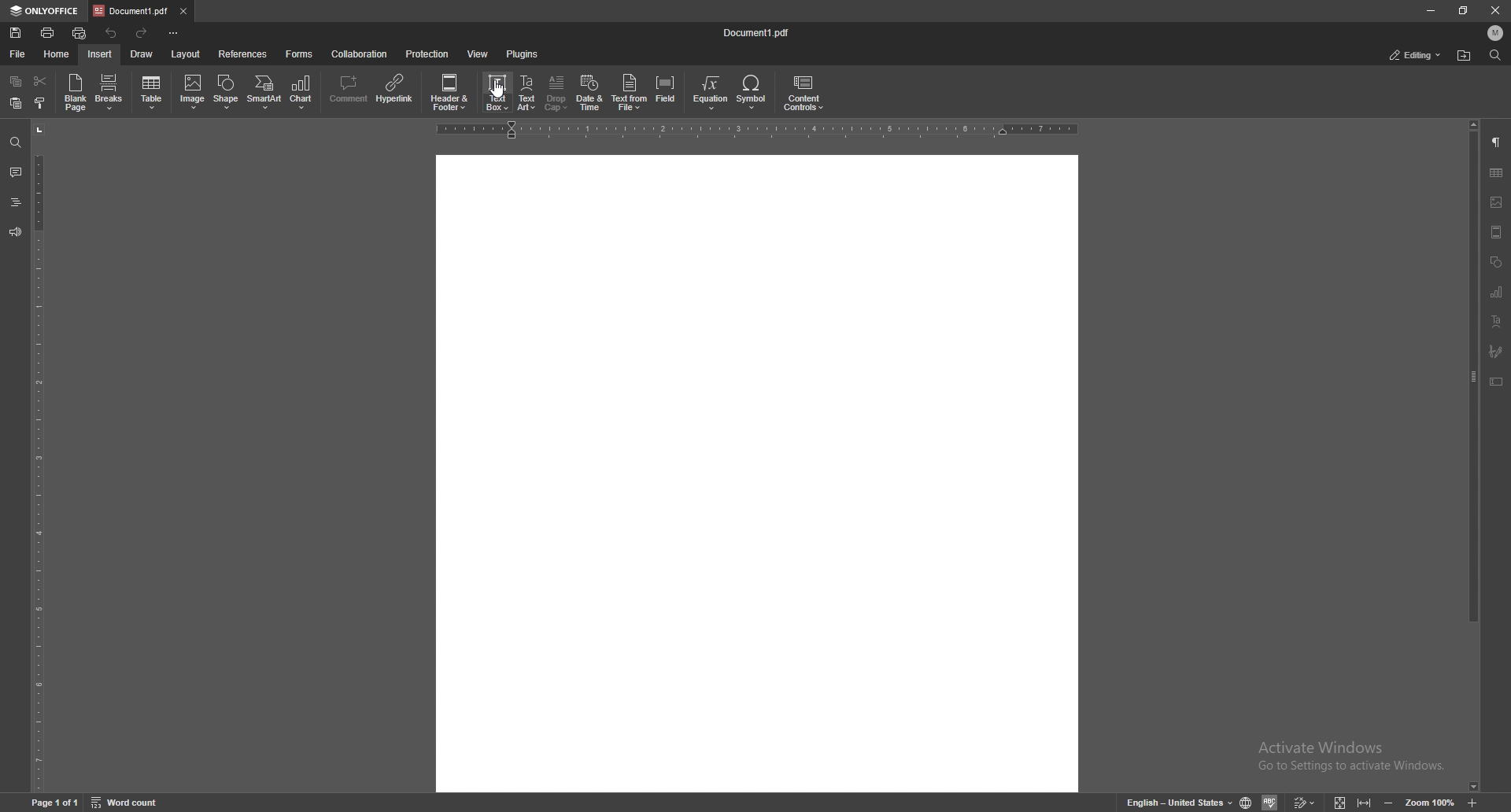 Image resolution: width=1511 pixels, height=812 pixels. I want to click on close tab, so click(183, 10).